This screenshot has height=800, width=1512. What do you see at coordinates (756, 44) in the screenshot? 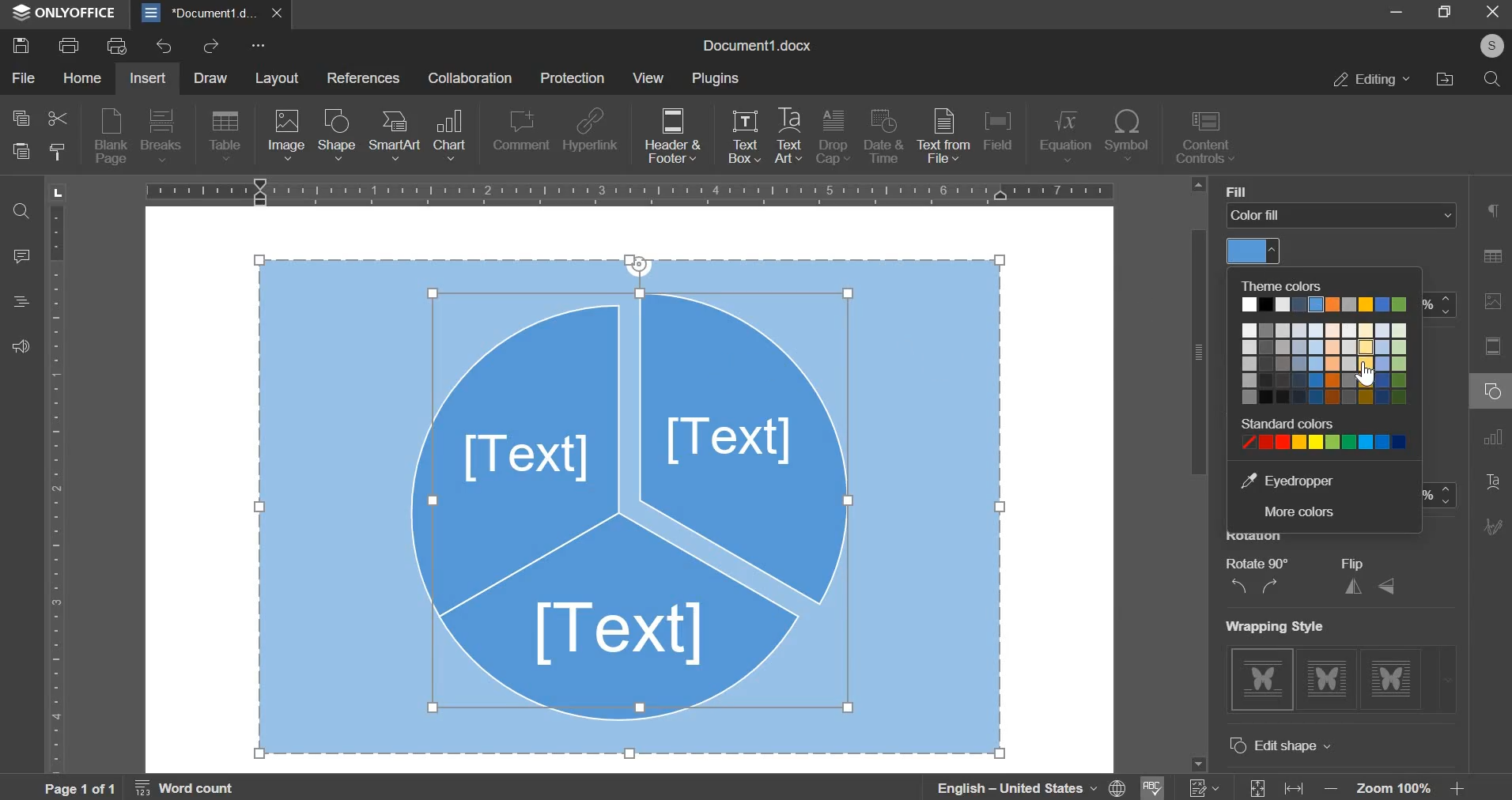
I see `Document1.docx` at bounding box center [756, 44].